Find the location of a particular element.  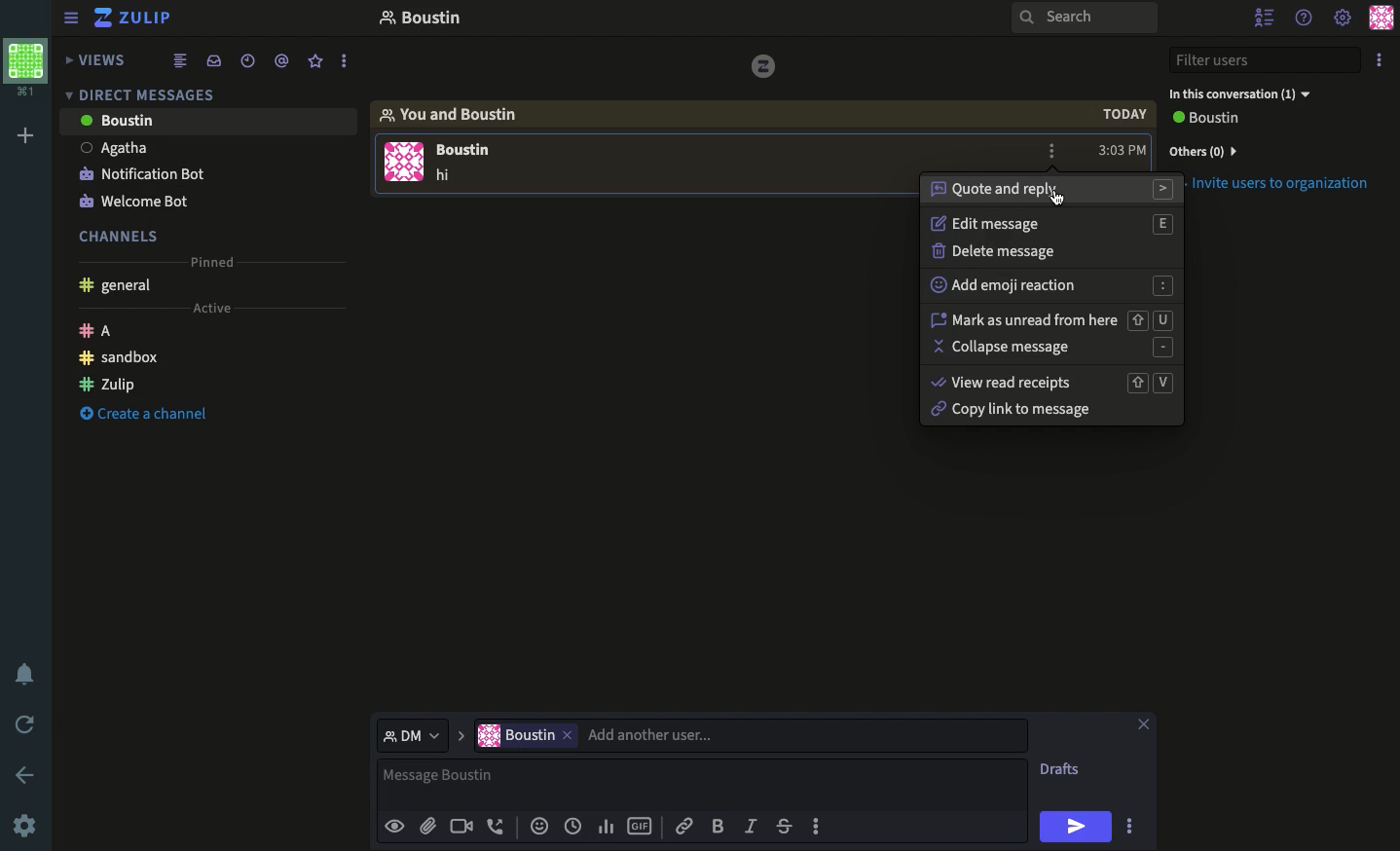

Search is located at coordinates (1084, 19).